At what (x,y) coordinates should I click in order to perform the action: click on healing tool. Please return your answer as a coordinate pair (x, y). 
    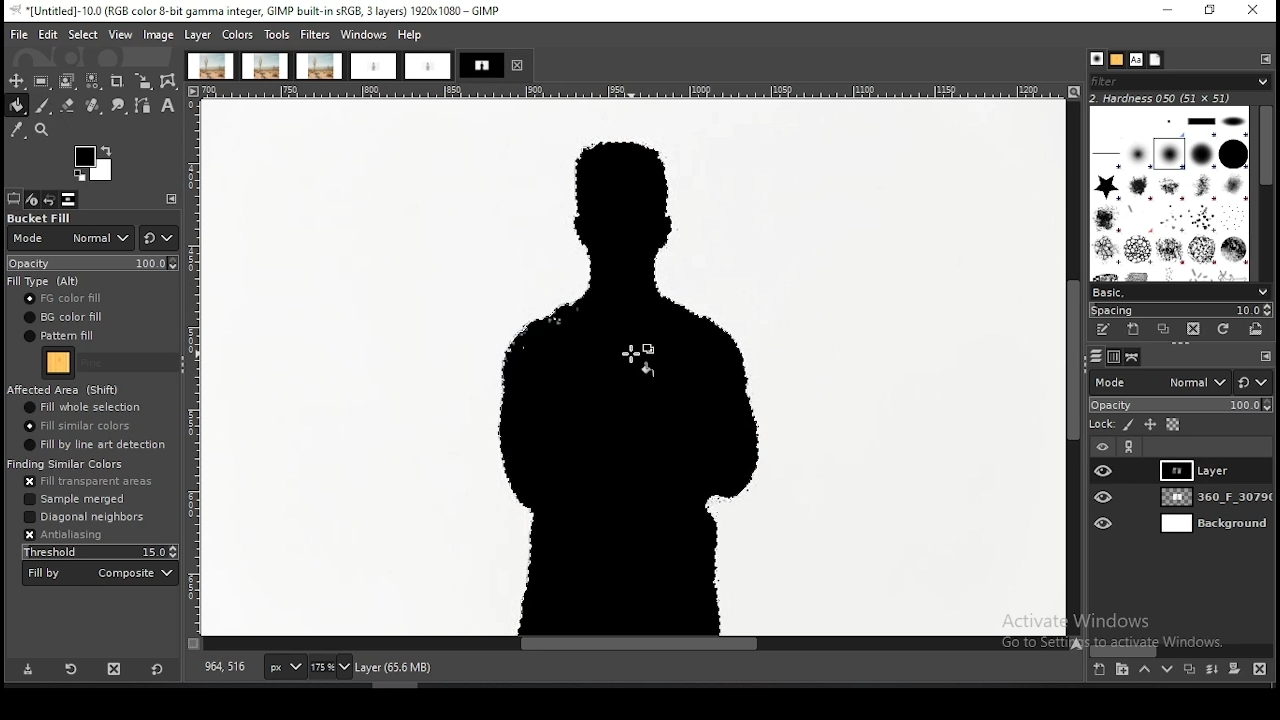
    Looking at the image, I should click on (94, 106).